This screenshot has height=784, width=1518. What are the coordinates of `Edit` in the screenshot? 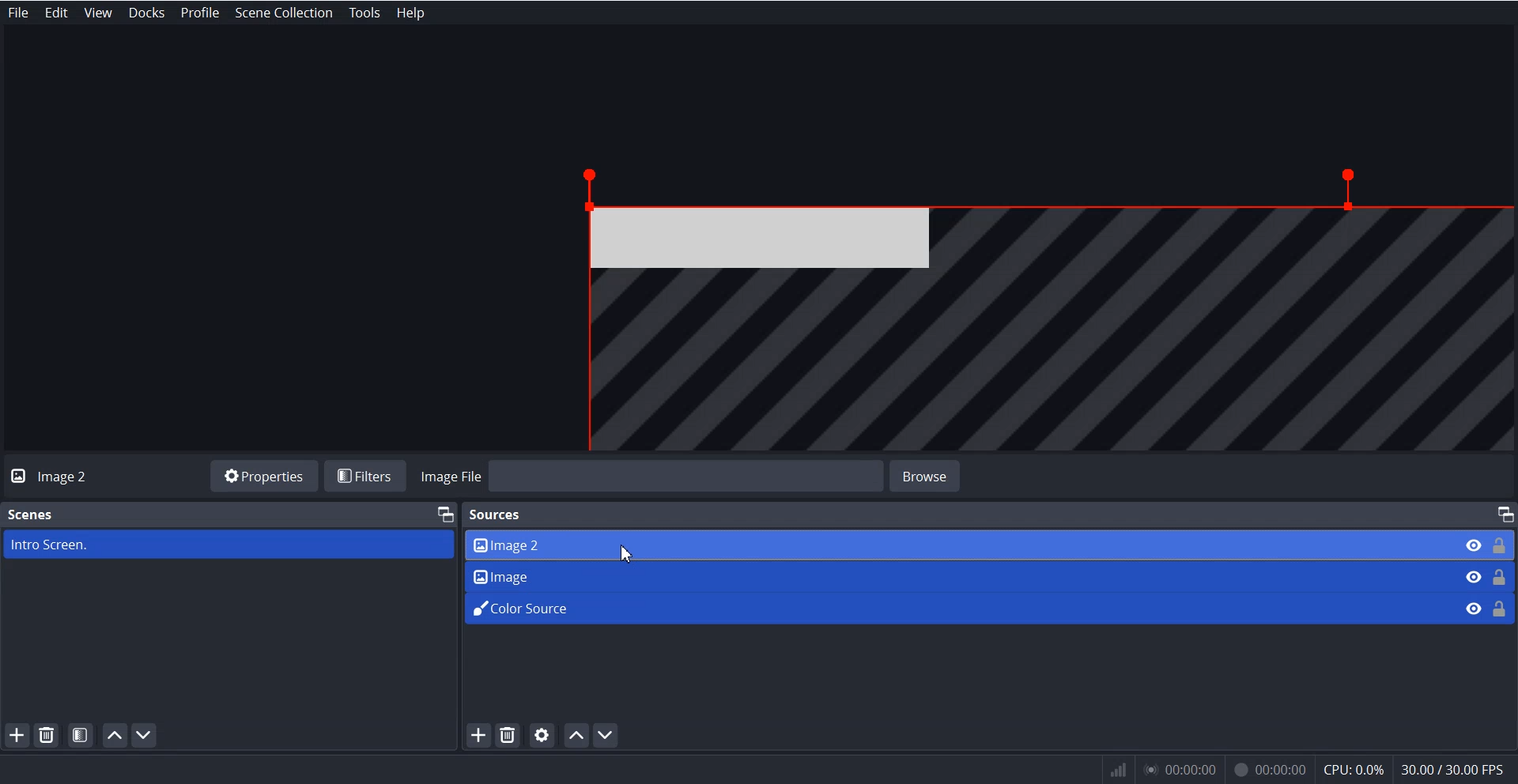 It's located at (57, 13).